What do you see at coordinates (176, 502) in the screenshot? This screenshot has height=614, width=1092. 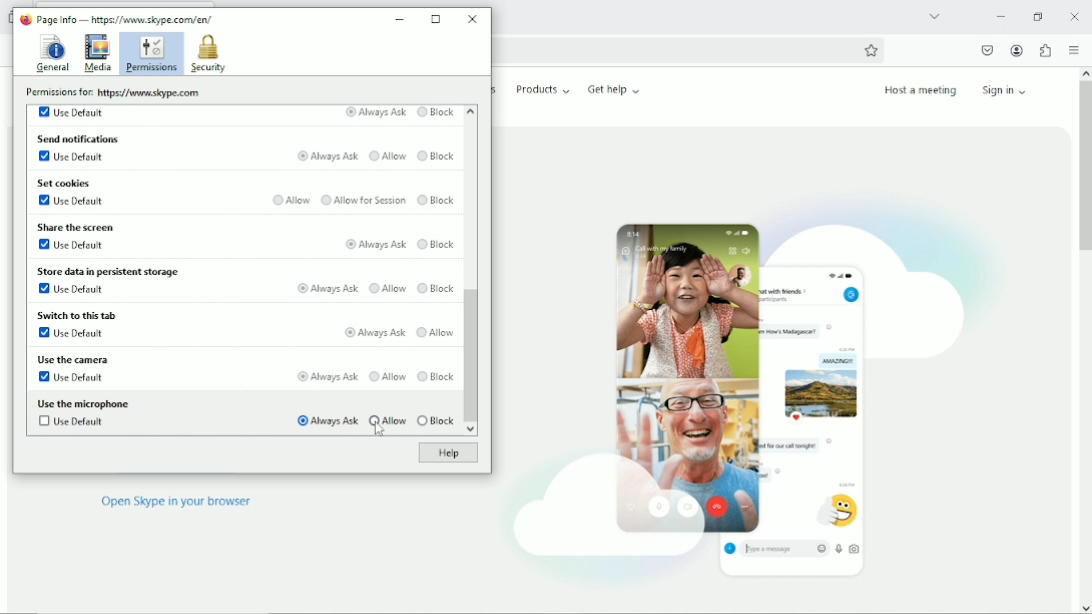 I see `Open skype in browser` at bounding box center [176, 502].